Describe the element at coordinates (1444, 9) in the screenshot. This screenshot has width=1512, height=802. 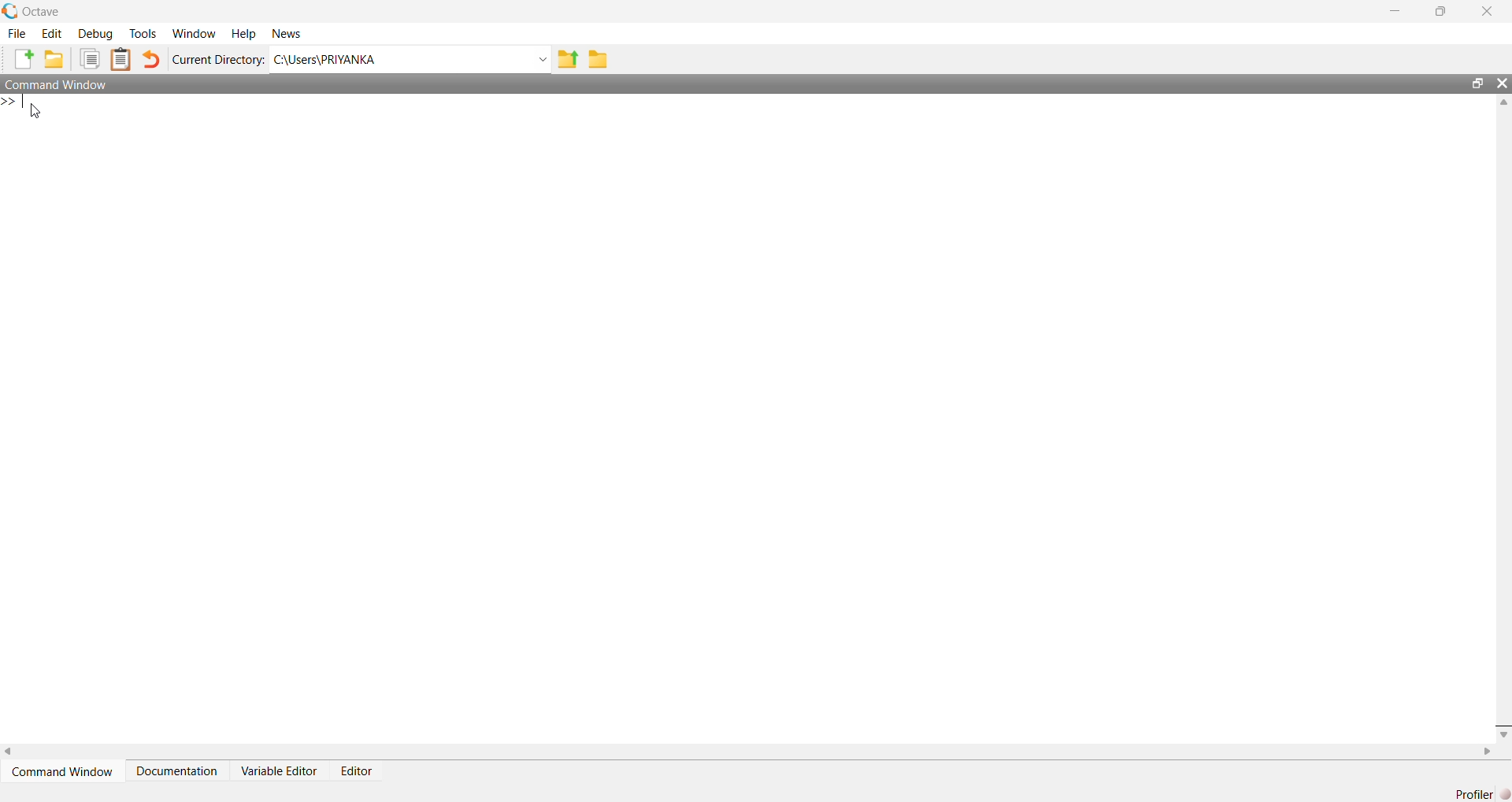
I see `maximise` at that location.